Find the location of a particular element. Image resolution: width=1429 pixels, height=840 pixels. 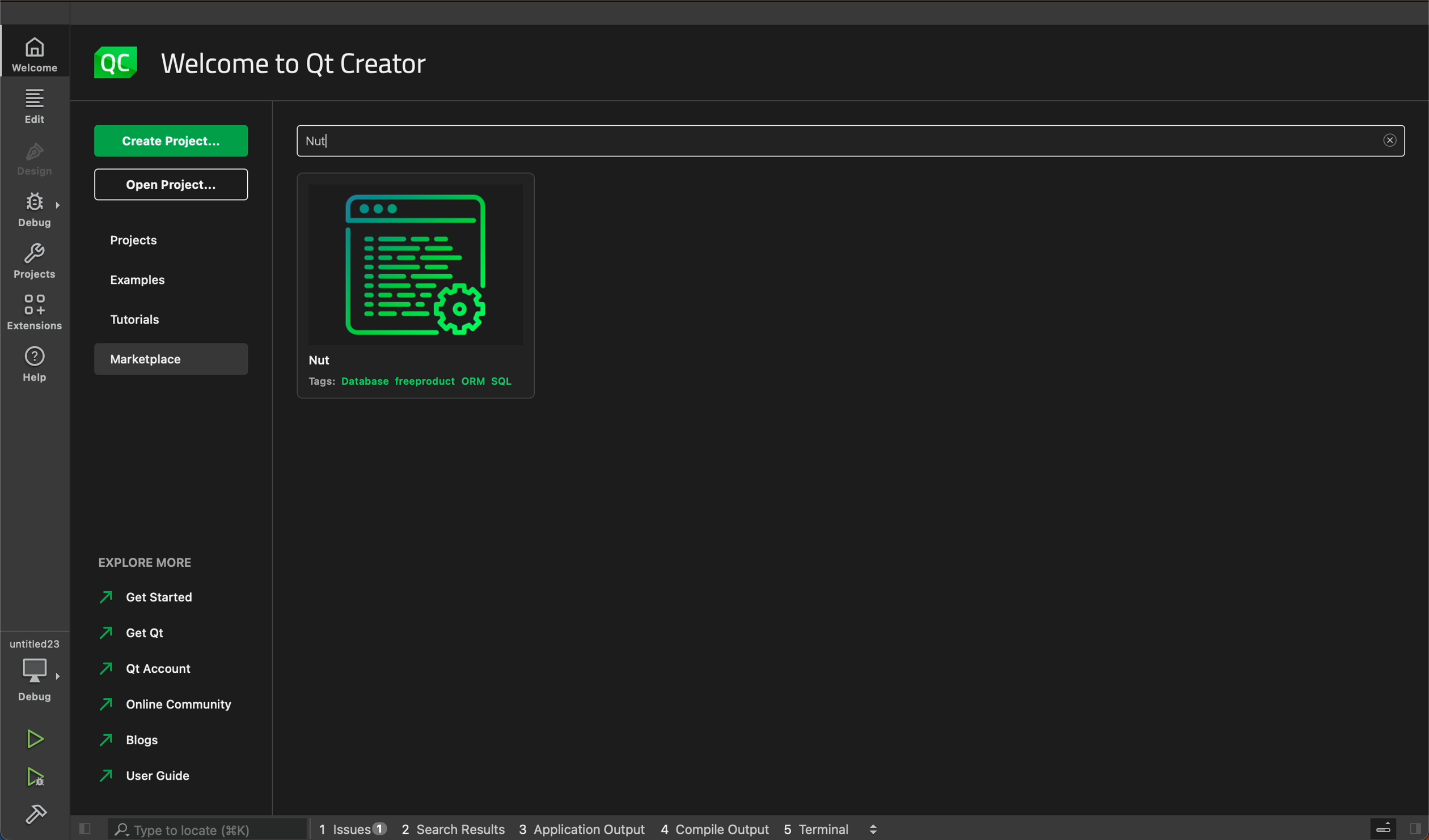

tutorials is located at coordinates (166, 320).